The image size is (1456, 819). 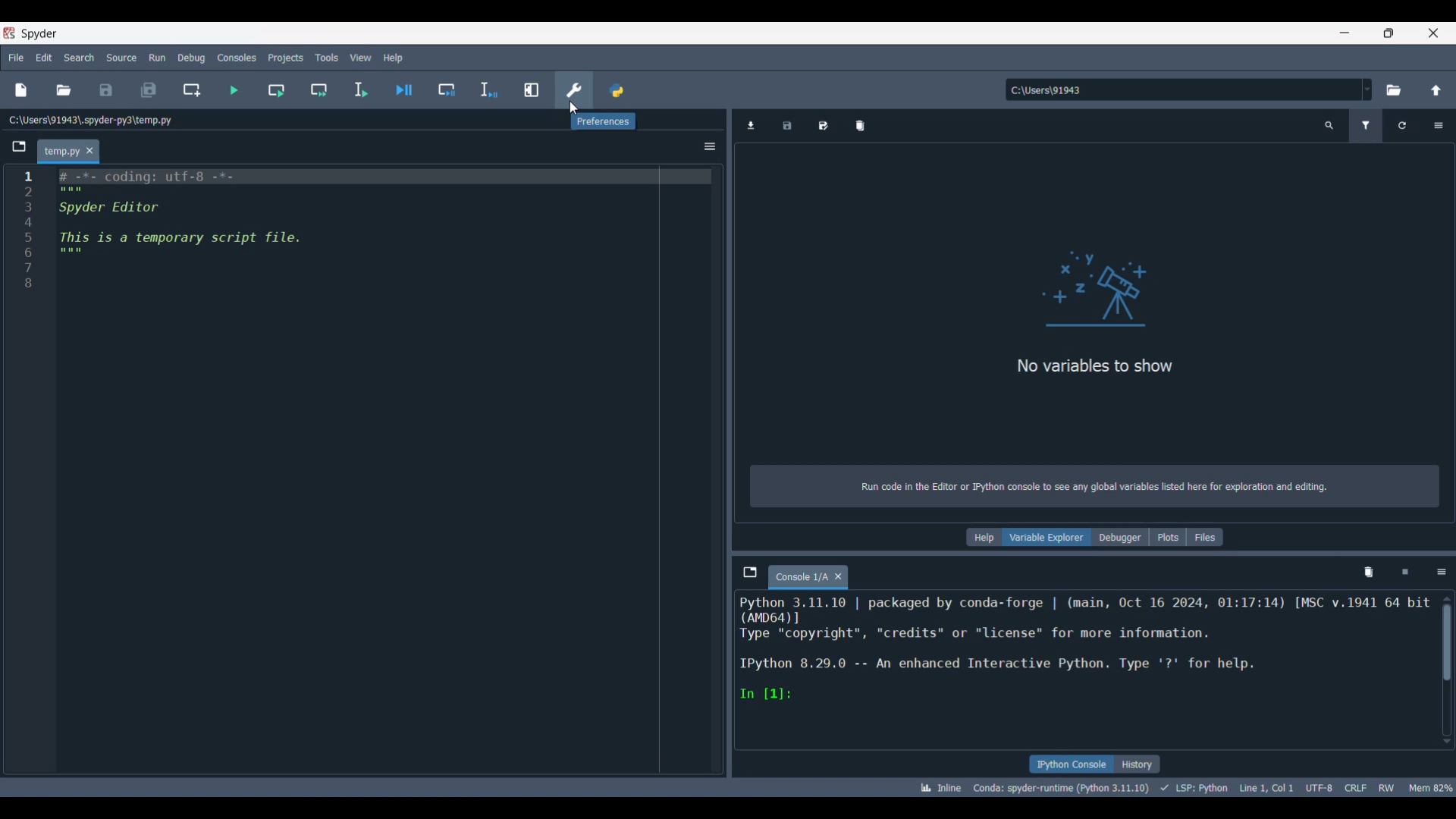 I want to click on Remove all variables from namespace, so click(x=1368, y=573).